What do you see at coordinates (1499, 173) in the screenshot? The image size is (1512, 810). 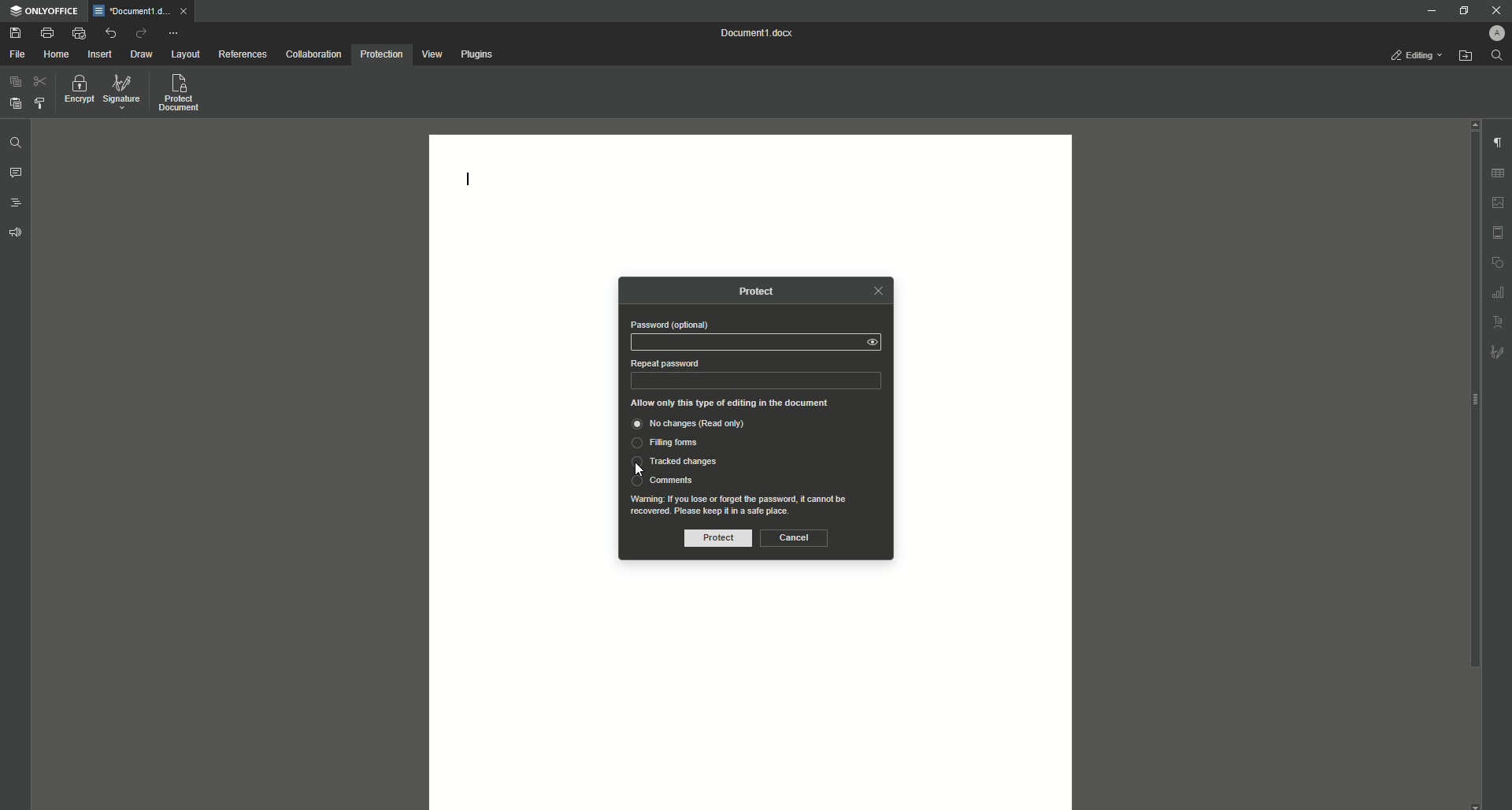 I see `Table Settings` at bounding box center [1499, 173].